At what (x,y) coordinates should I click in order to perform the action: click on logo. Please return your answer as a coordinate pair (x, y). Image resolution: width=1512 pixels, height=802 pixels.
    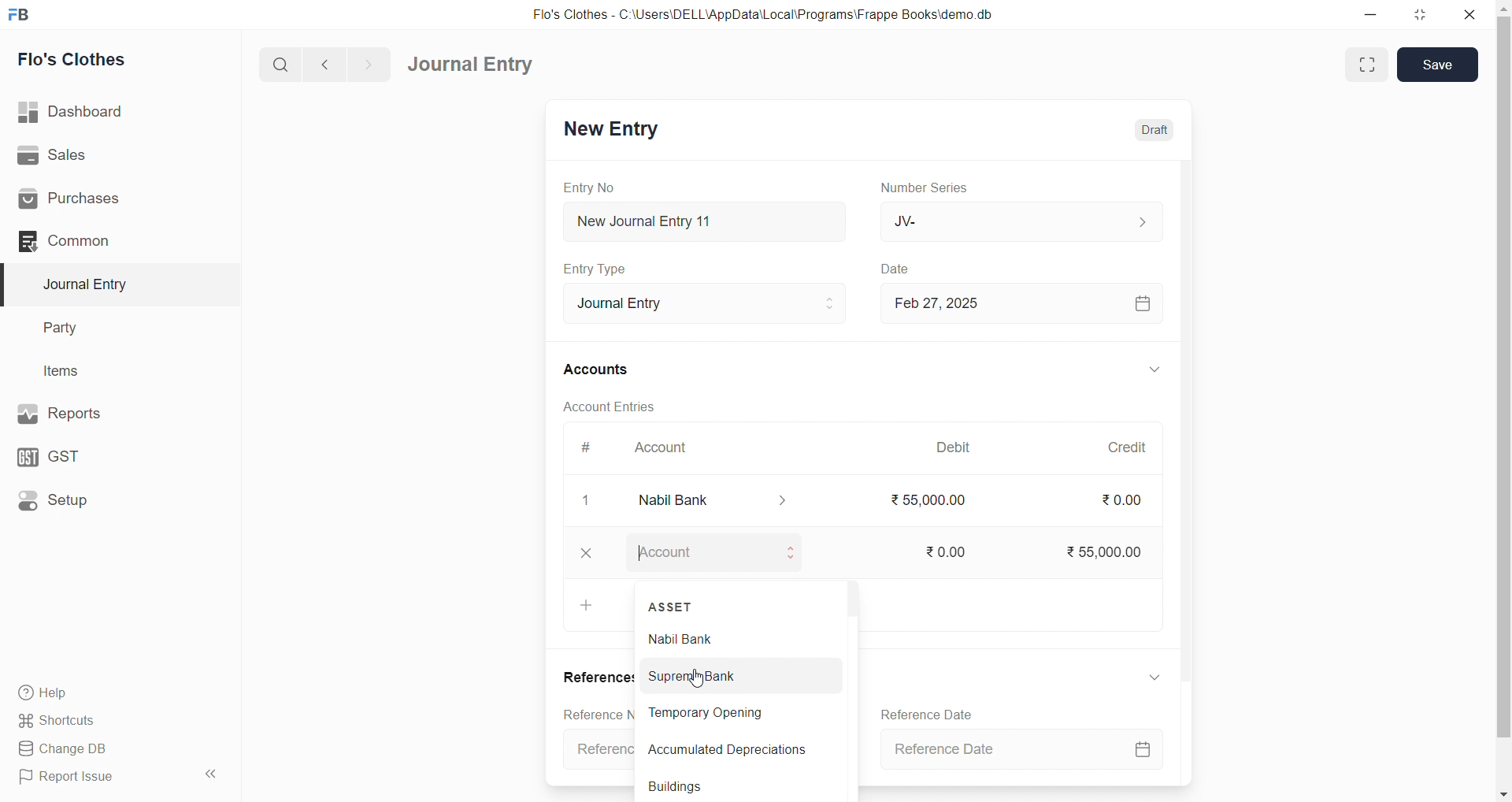
    Looking at the image, I should click on (24, 13).